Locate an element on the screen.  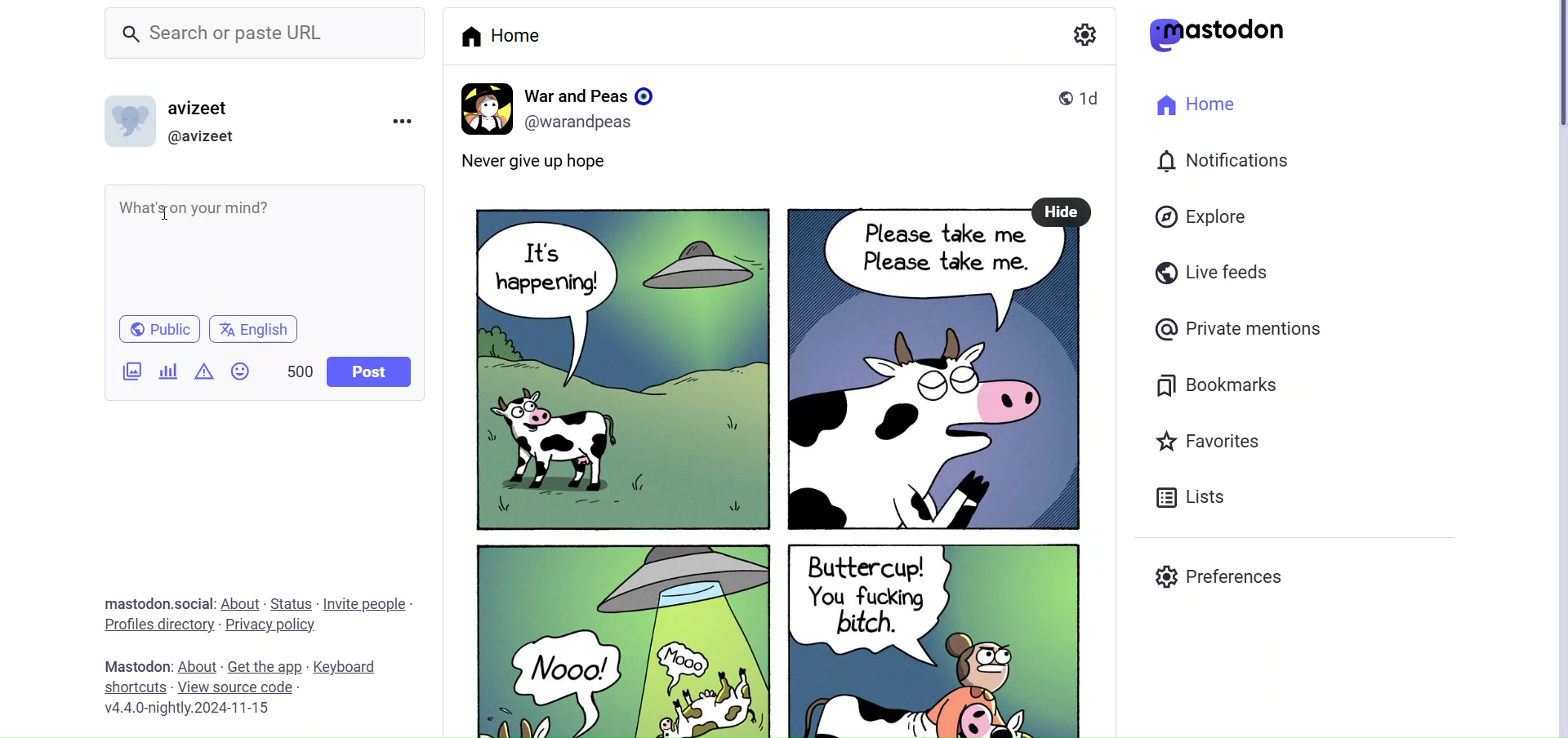
About is located at coordinates (243, 602).